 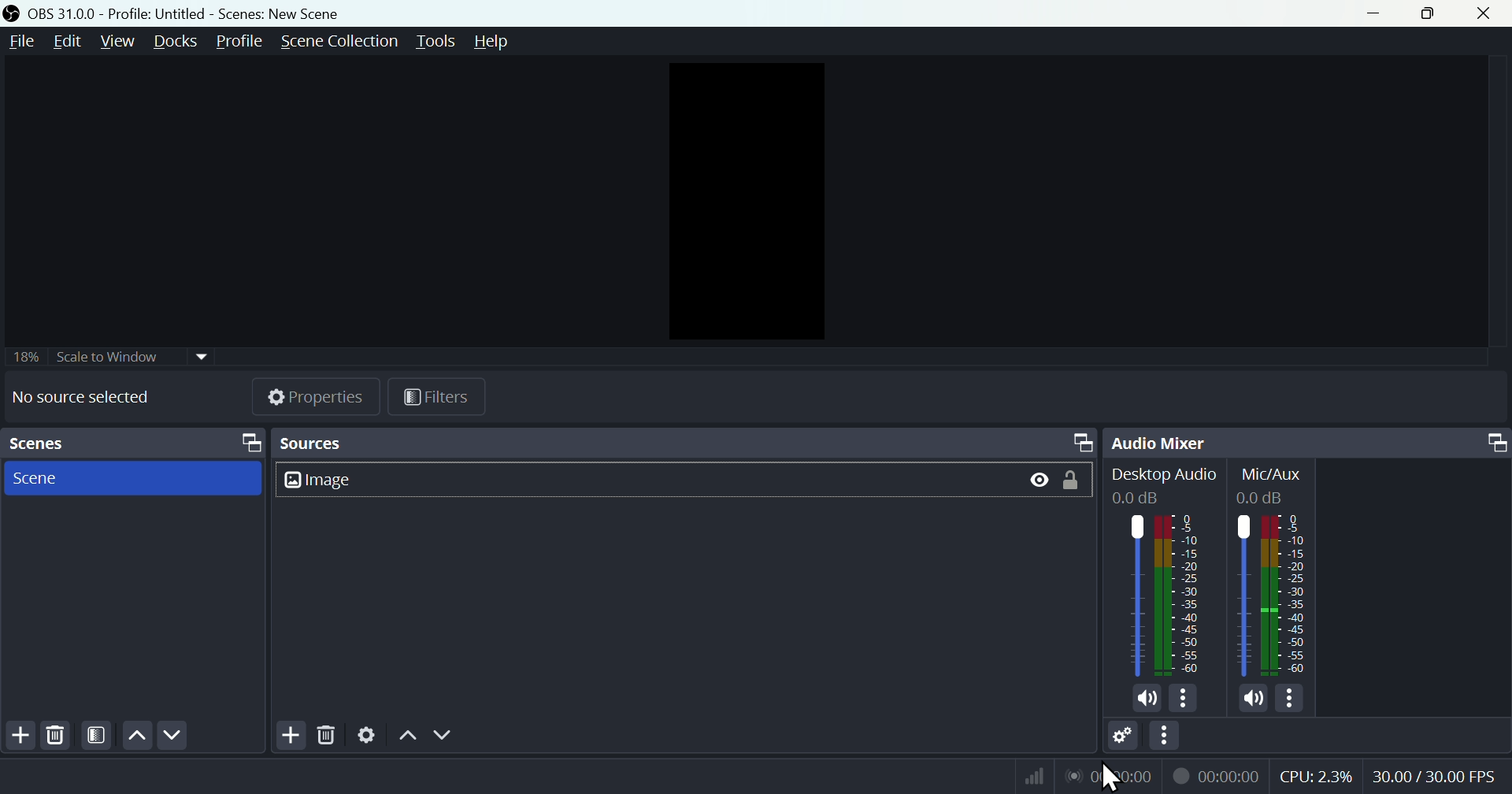 What do you see at coordinates (306, 397) in the screenshot?
I see `Properties` at bounding box center [306, 397].